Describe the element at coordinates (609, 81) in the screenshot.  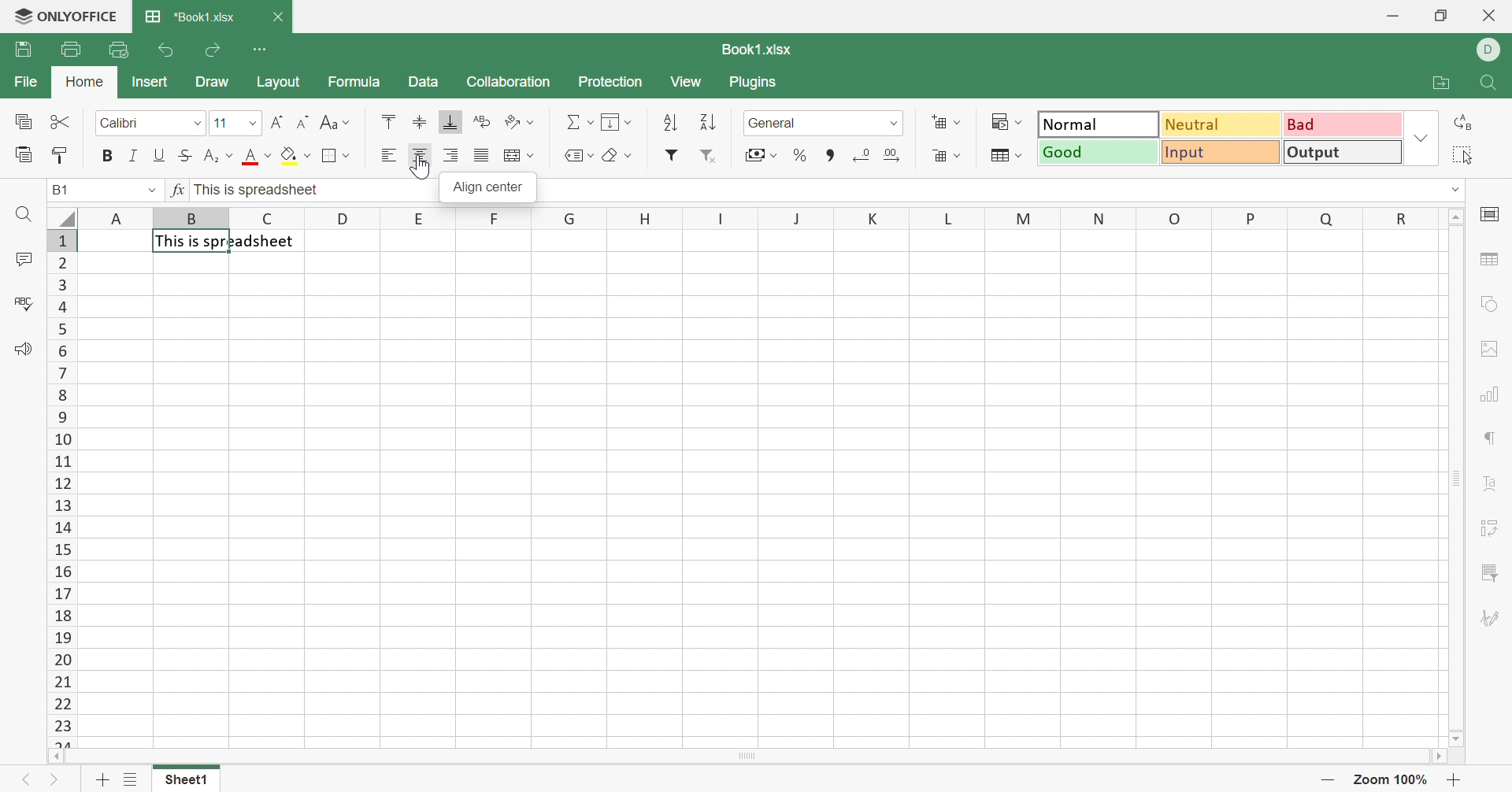
I see `Protection` at that location.